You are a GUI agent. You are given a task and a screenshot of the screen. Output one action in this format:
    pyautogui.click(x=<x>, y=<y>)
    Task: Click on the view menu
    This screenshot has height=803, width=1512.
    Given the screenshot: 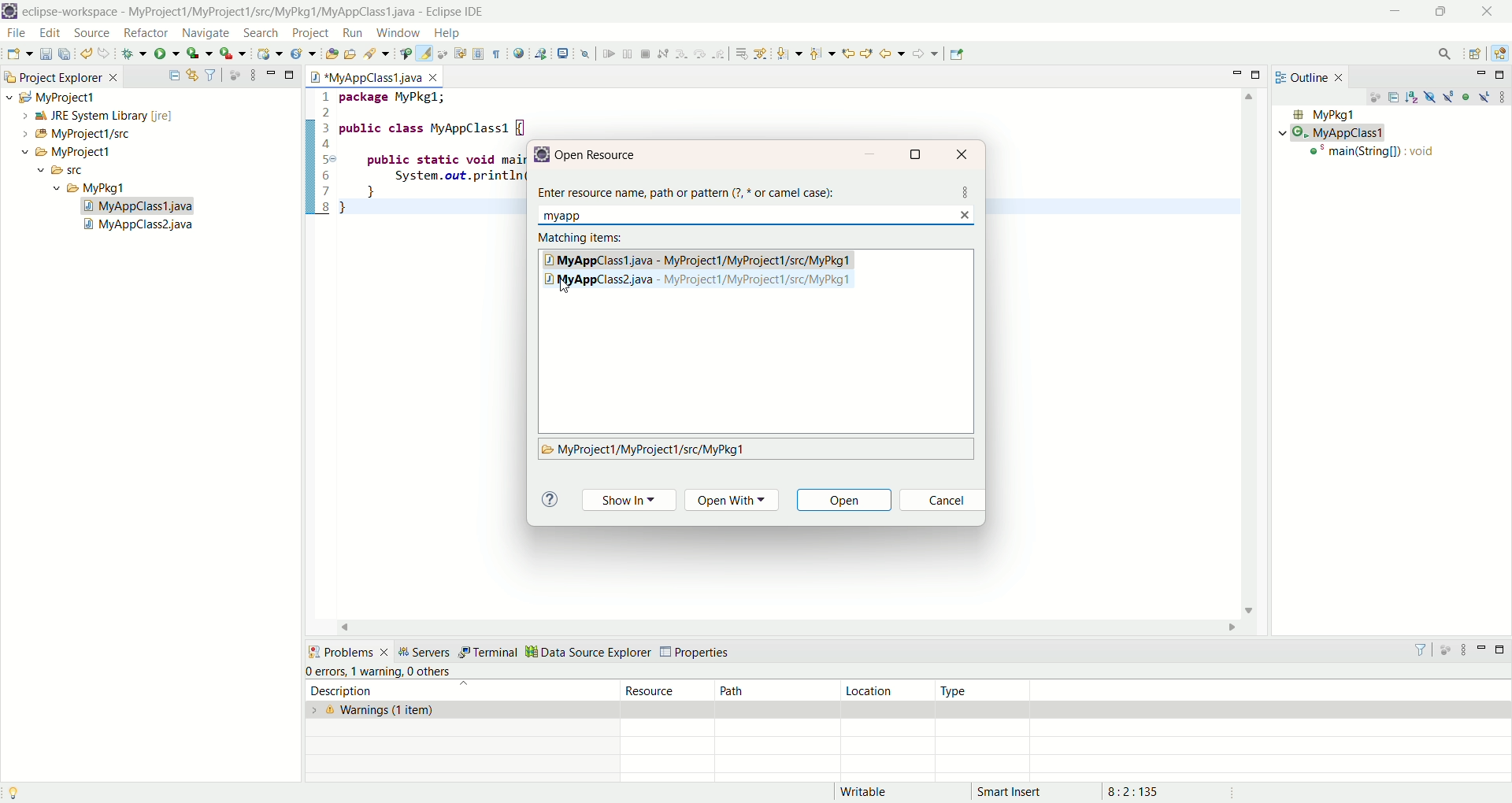 What is the action you would take?
    pyautogui.click(x=252, y=74)
    